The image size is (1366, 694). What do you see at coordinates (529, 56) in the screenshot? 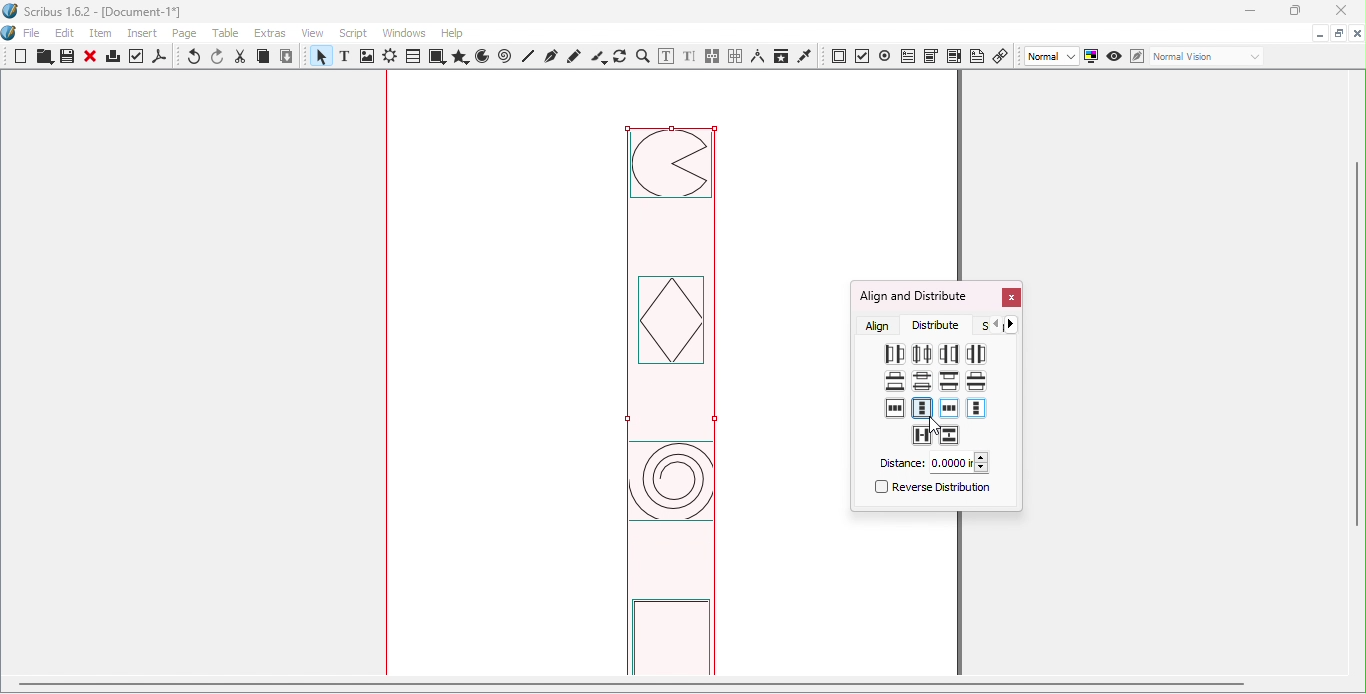
I see `Line` at bounding box center [529, 56].